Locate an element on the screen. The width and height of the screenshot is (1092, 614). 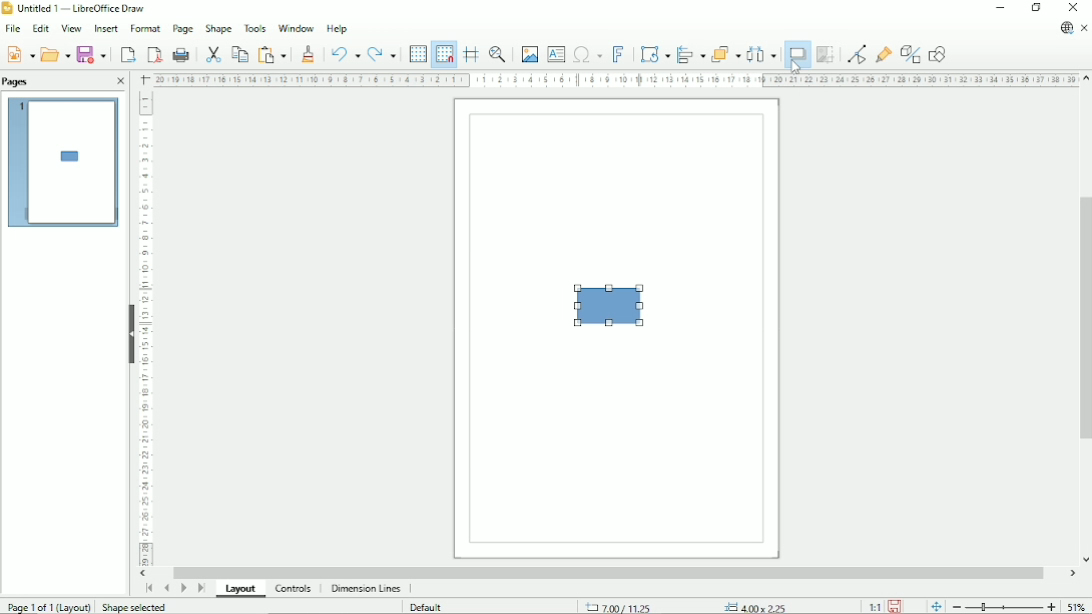
Layout is located at coordinates (240, 591).